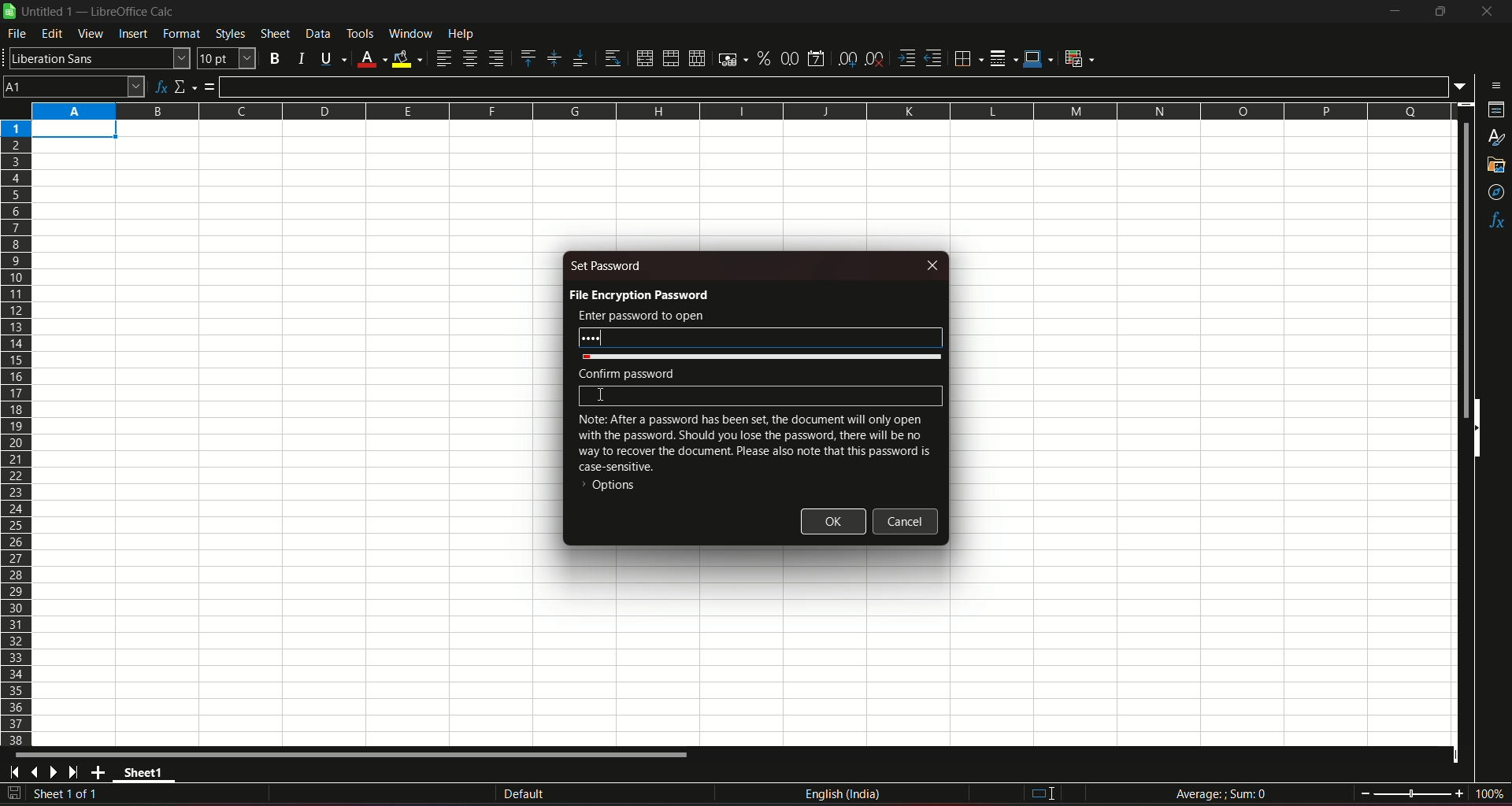 The height and width of the screenshot is (806, 1512). Describe the element at coordinates (906, 57) in the screenshot. I see `increase indent` at that location.